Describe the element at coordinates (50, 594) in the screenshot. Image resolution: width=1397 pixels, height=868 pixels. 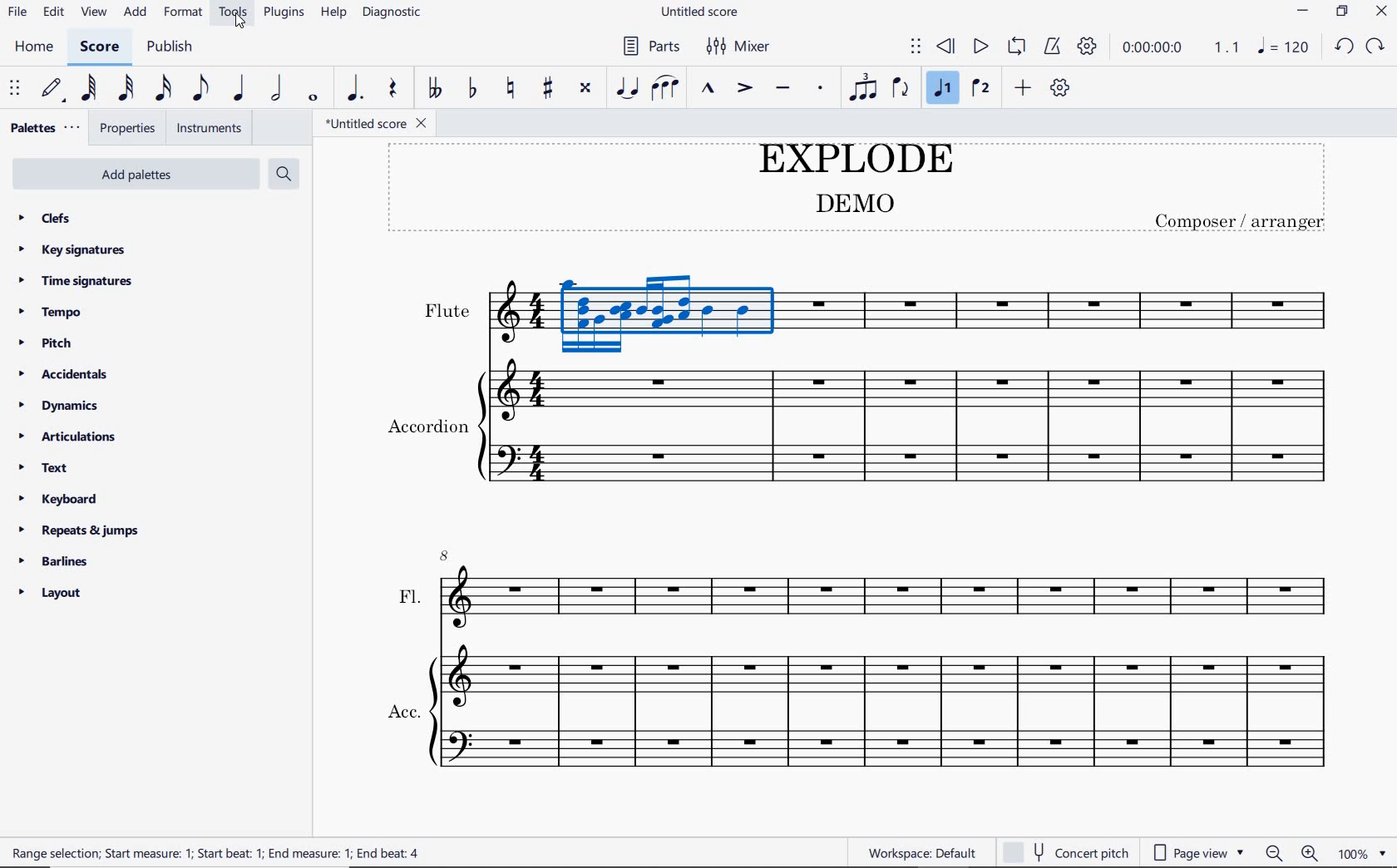
I see `layout` at that location.